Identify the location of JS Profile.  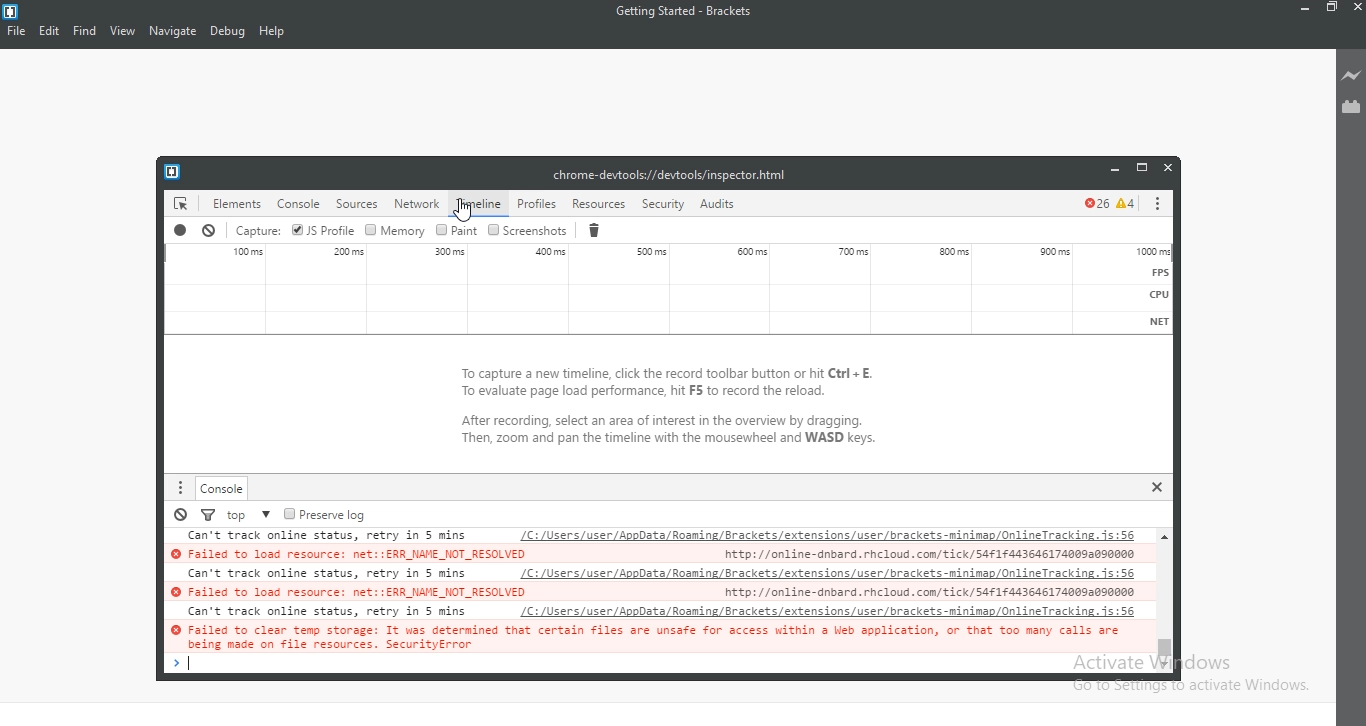
(323, 230).